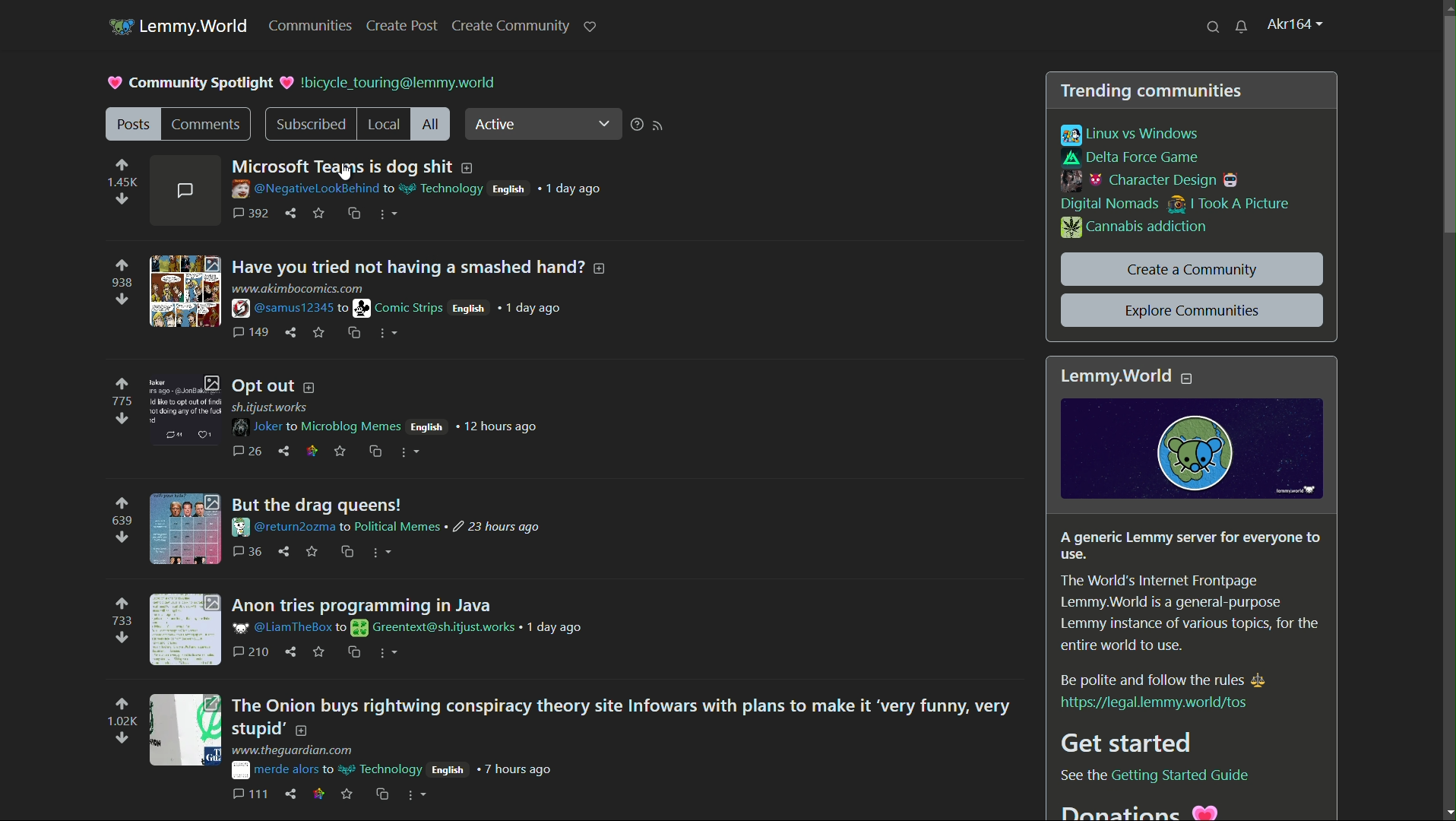 Image resolution: width=1456 pixels, height=821 pixels. What do you see at coordinates (120, 619) in the screenshot?
I see `number of votes` at bounding box center [120, 619].